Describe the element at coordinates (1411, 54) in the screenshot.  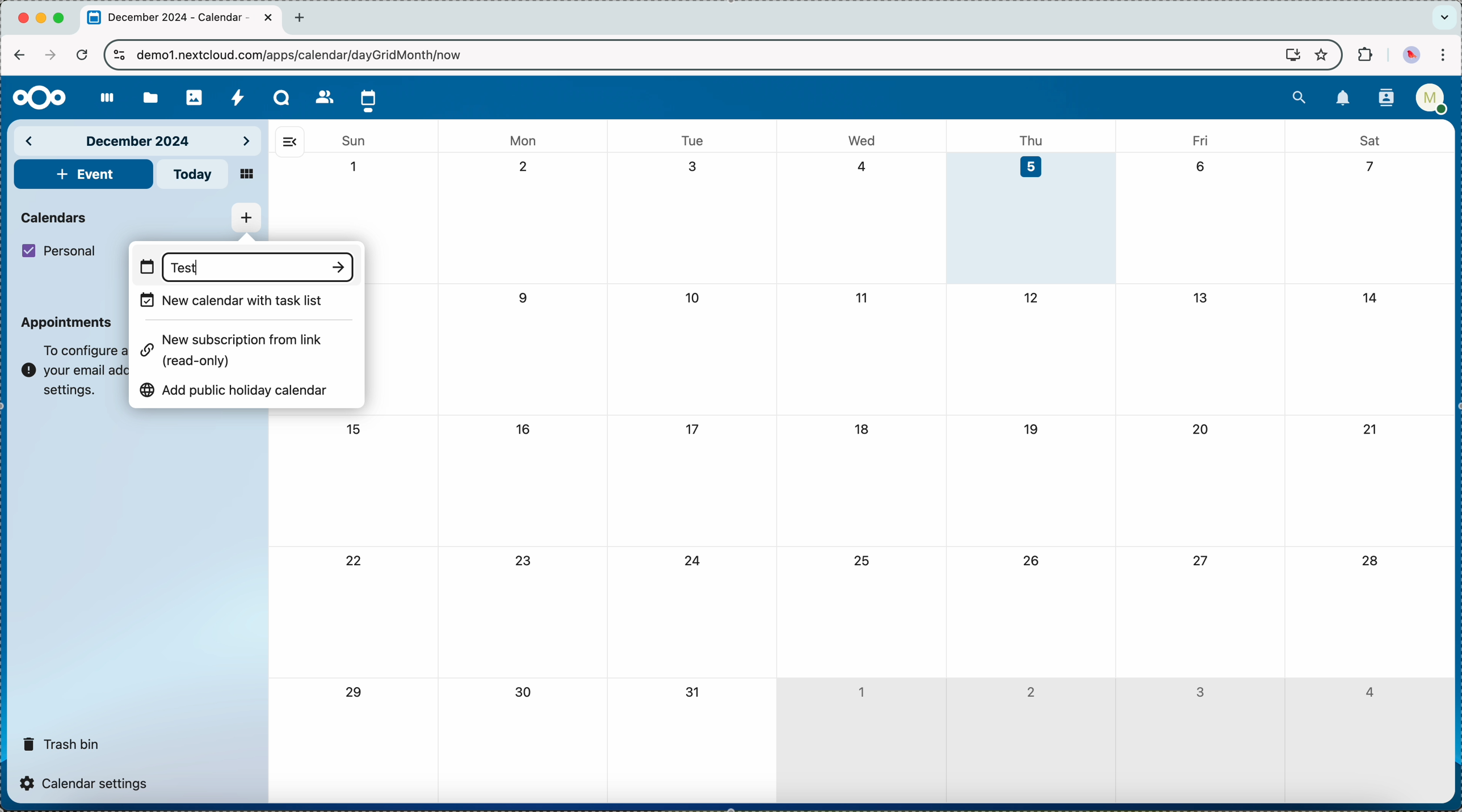
I see `profile picture` at that location.